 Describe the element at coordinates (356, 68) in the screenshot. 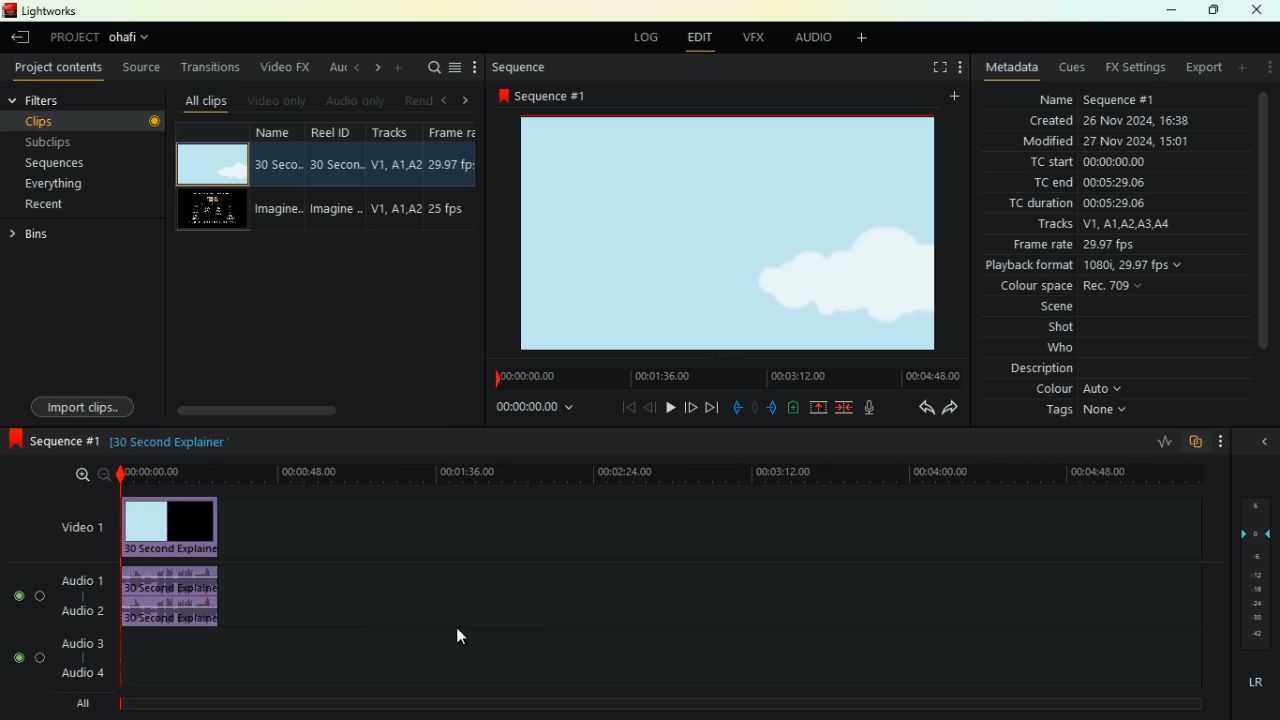

I see `left` at that location.